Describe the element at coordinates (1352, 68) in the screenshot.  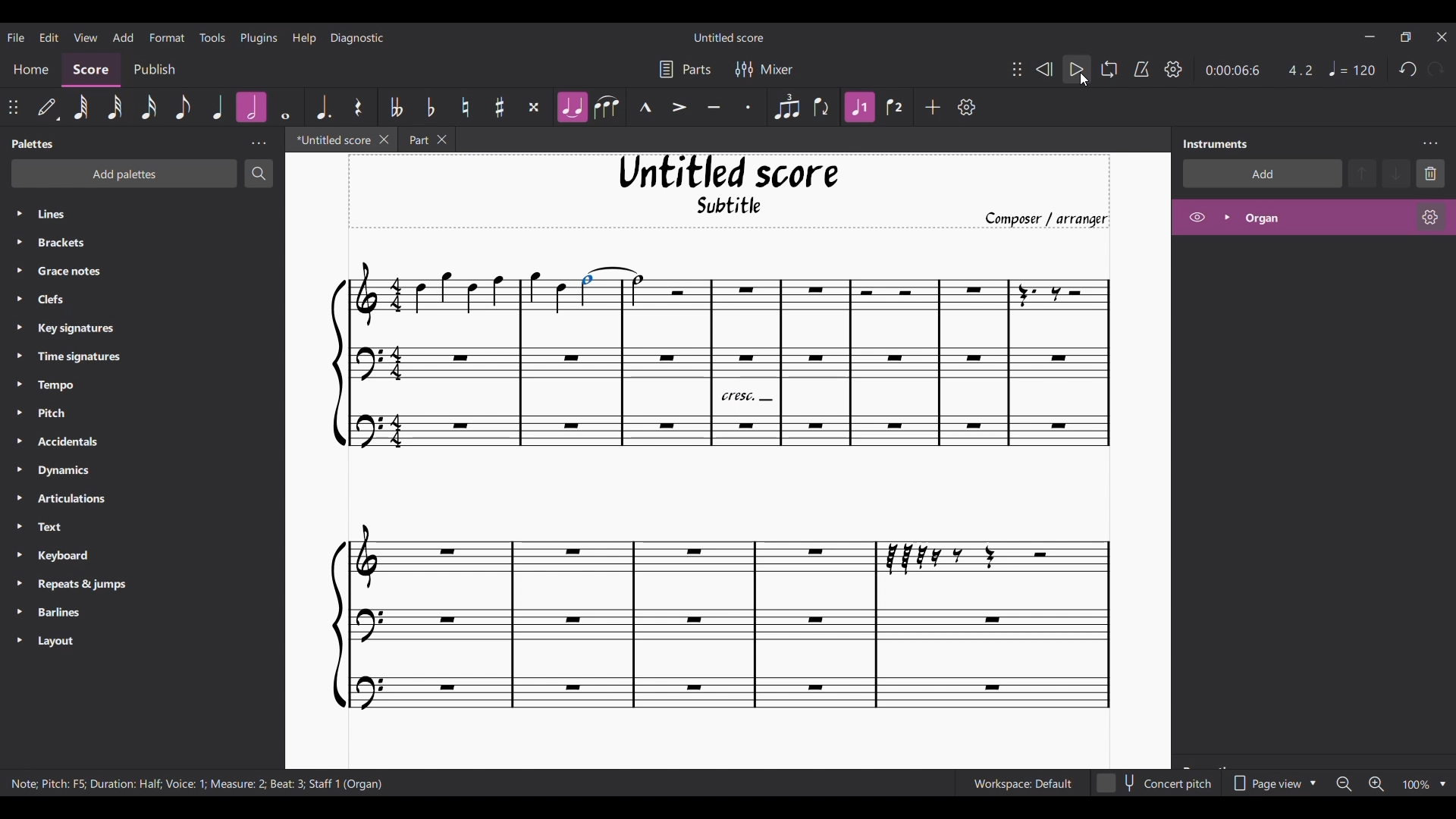
I see `Tempo` at that location.